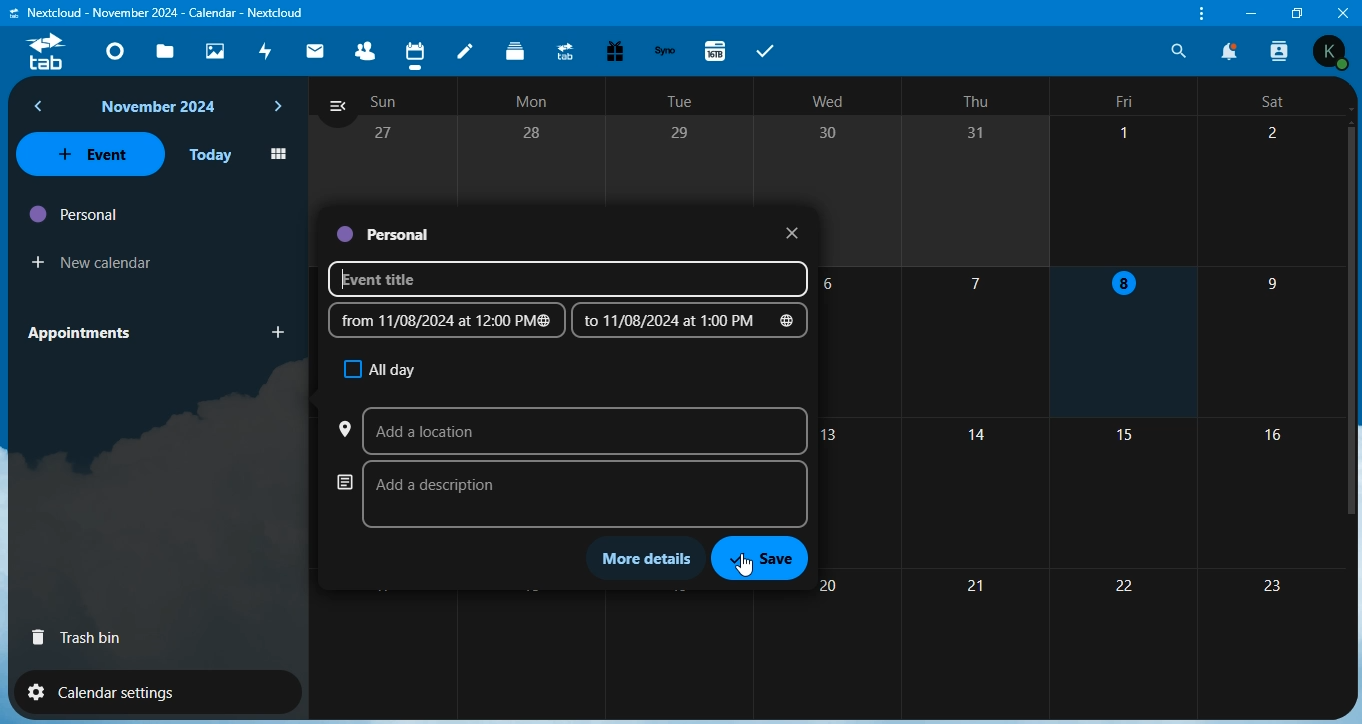 The image size is (1362, 724). Describe the element at coordinates (113, 47) in the screenshot. I see `dashboard` at that location.